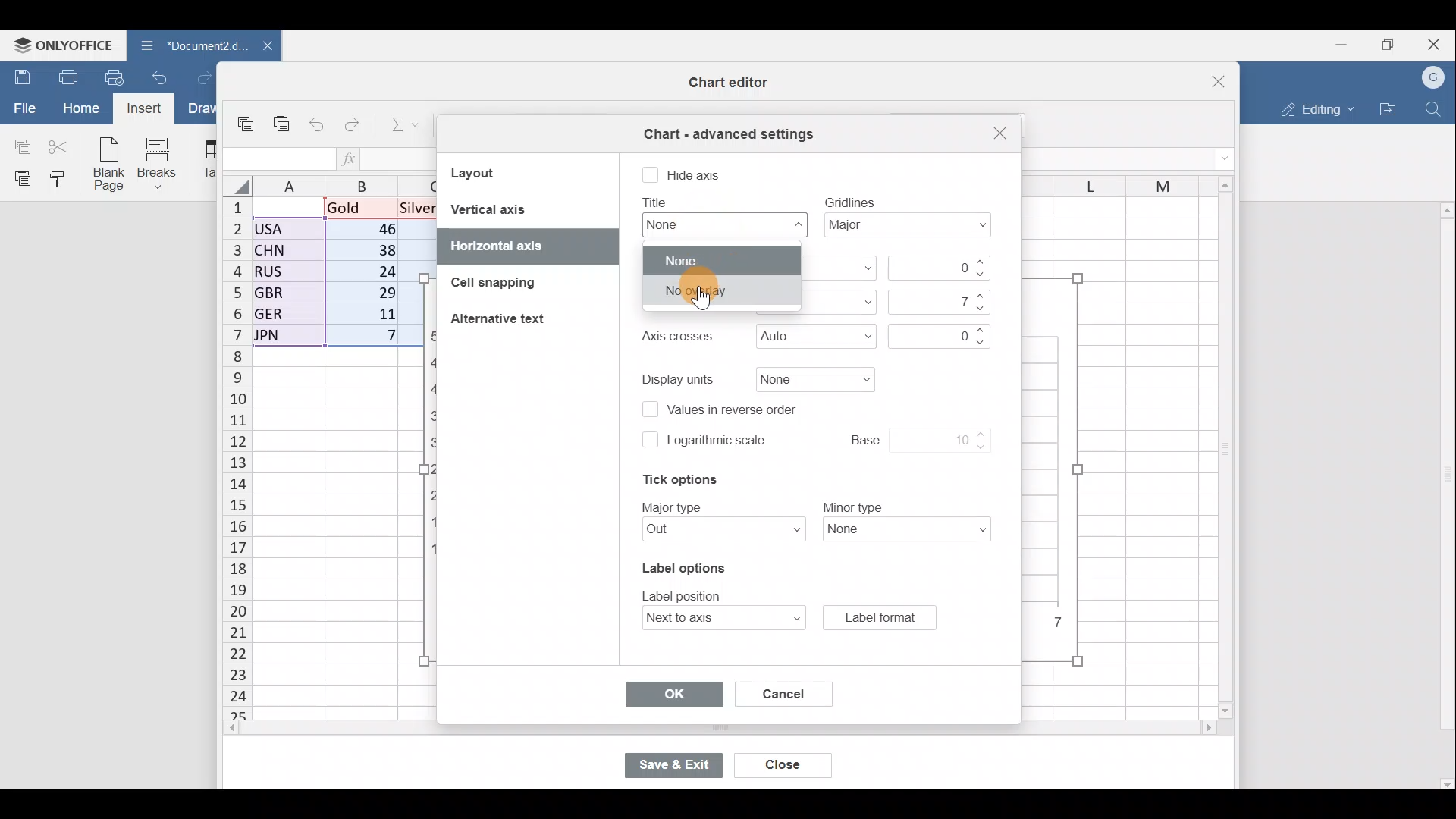  What do you see at coordinates (657, 202) in the screenshot?
I see `text` at bounding box center [657, 202].